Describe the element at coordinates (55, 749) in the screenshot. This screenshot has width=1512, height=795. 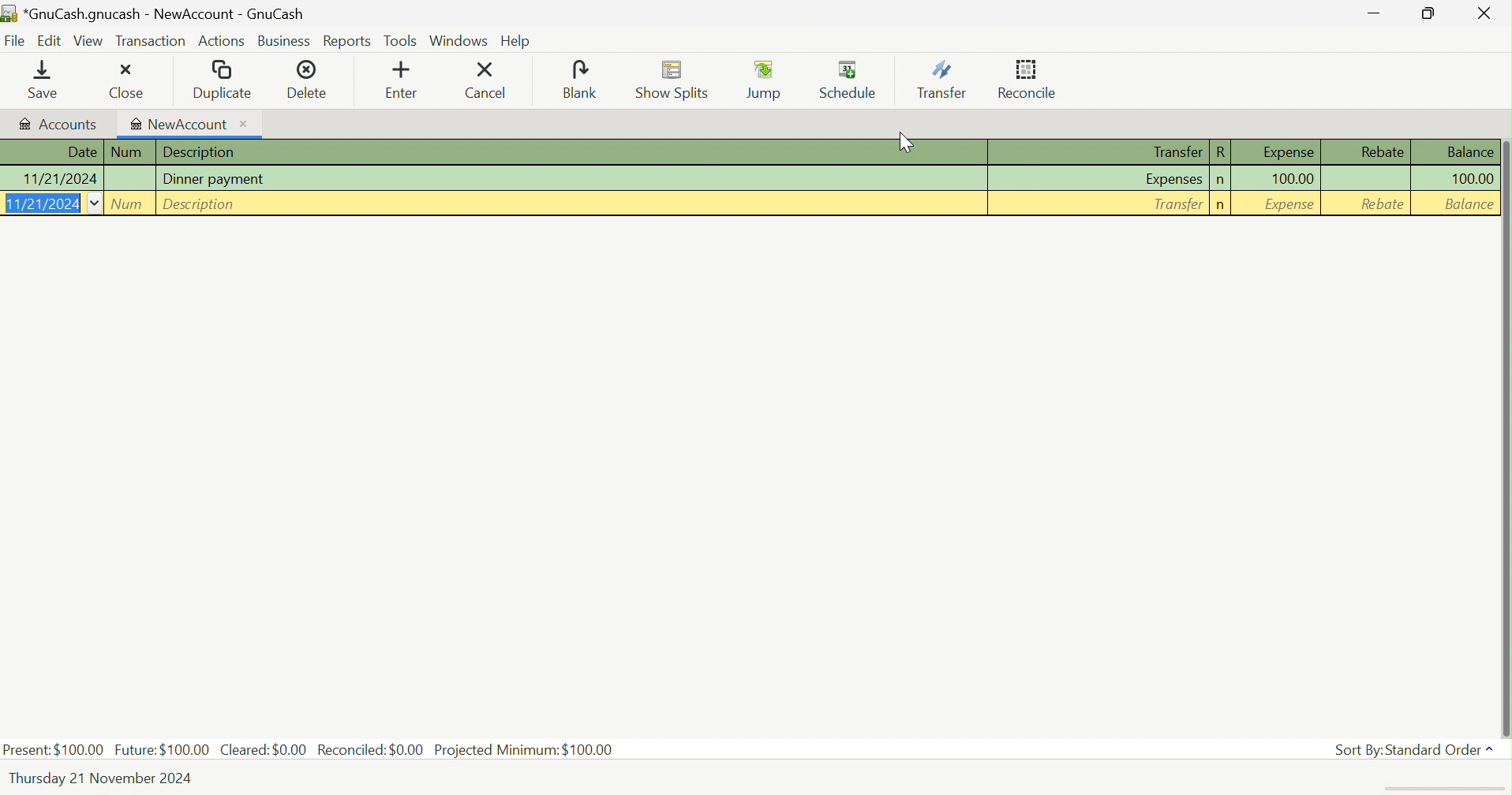
I see `Present: $100.00` at that location.